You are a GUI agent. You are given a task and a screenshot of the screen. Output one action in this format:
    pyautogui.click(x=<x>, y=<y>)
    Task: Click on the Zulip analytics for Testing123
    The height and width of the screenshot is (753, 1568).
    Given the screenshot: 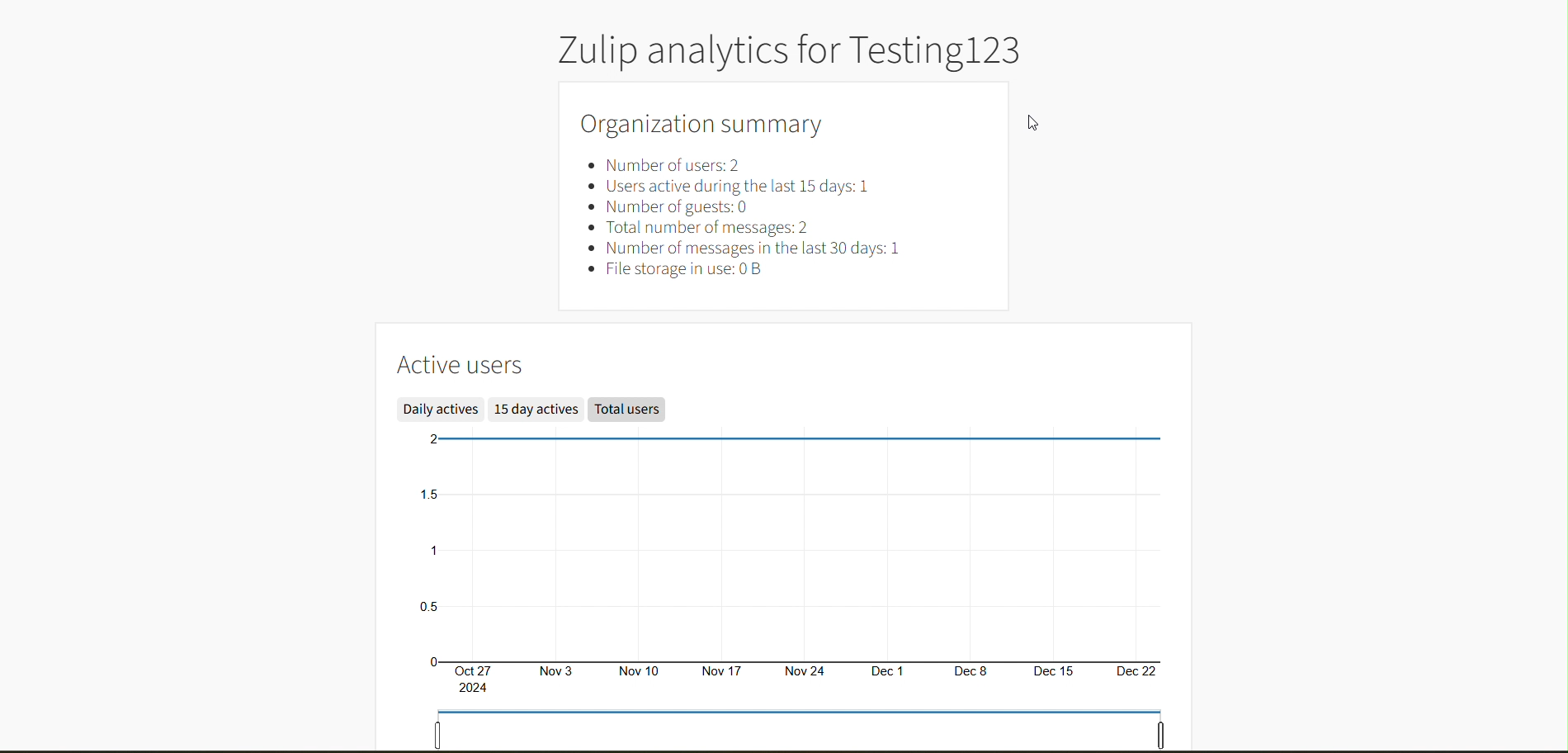 What is the action you would take?
    pyautogui.click(x=804, y=49)
    